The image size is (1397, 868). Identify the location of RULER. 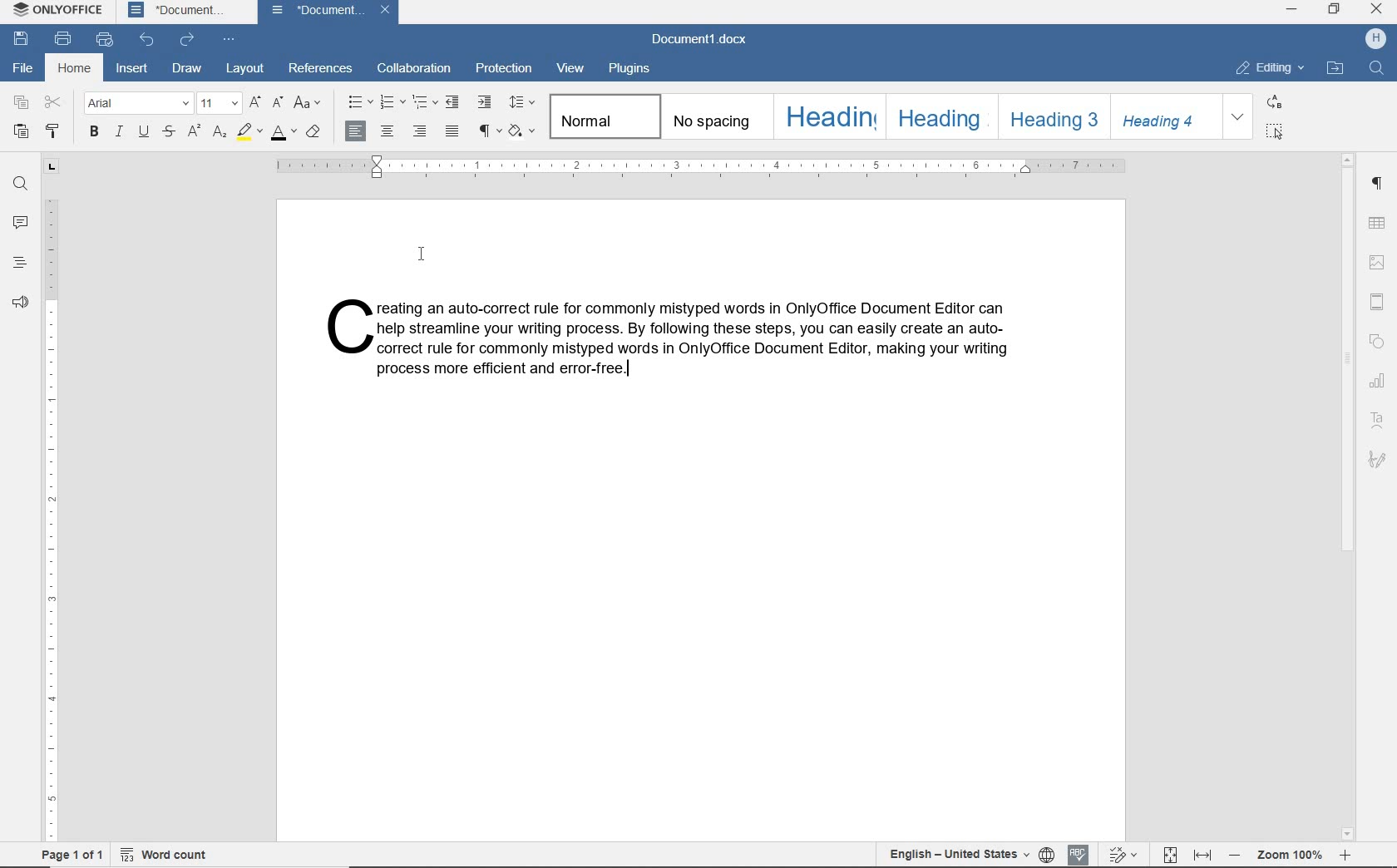
(51, 498).